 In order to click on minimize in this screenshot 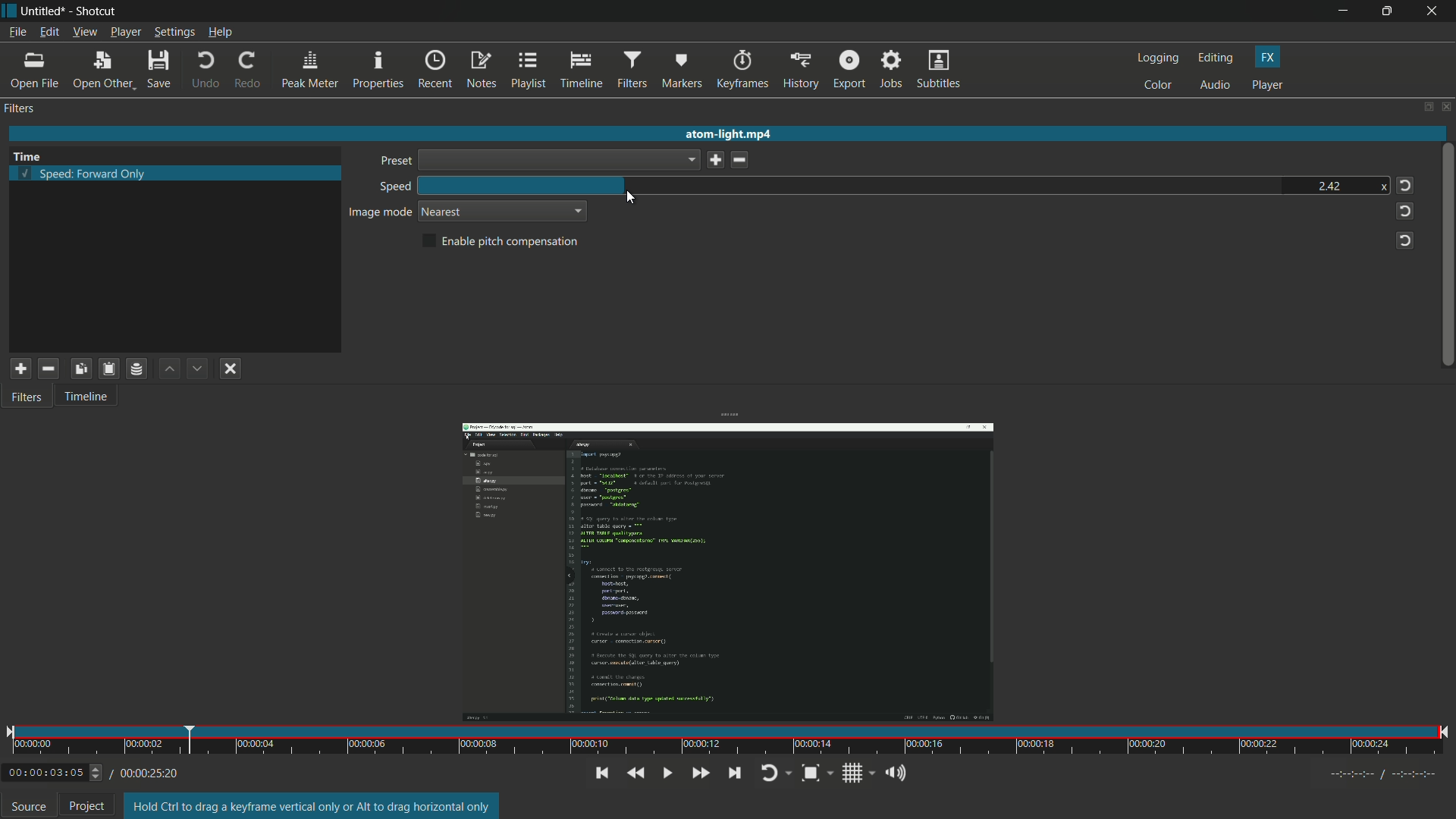, I will do `click(1341, 11)`.